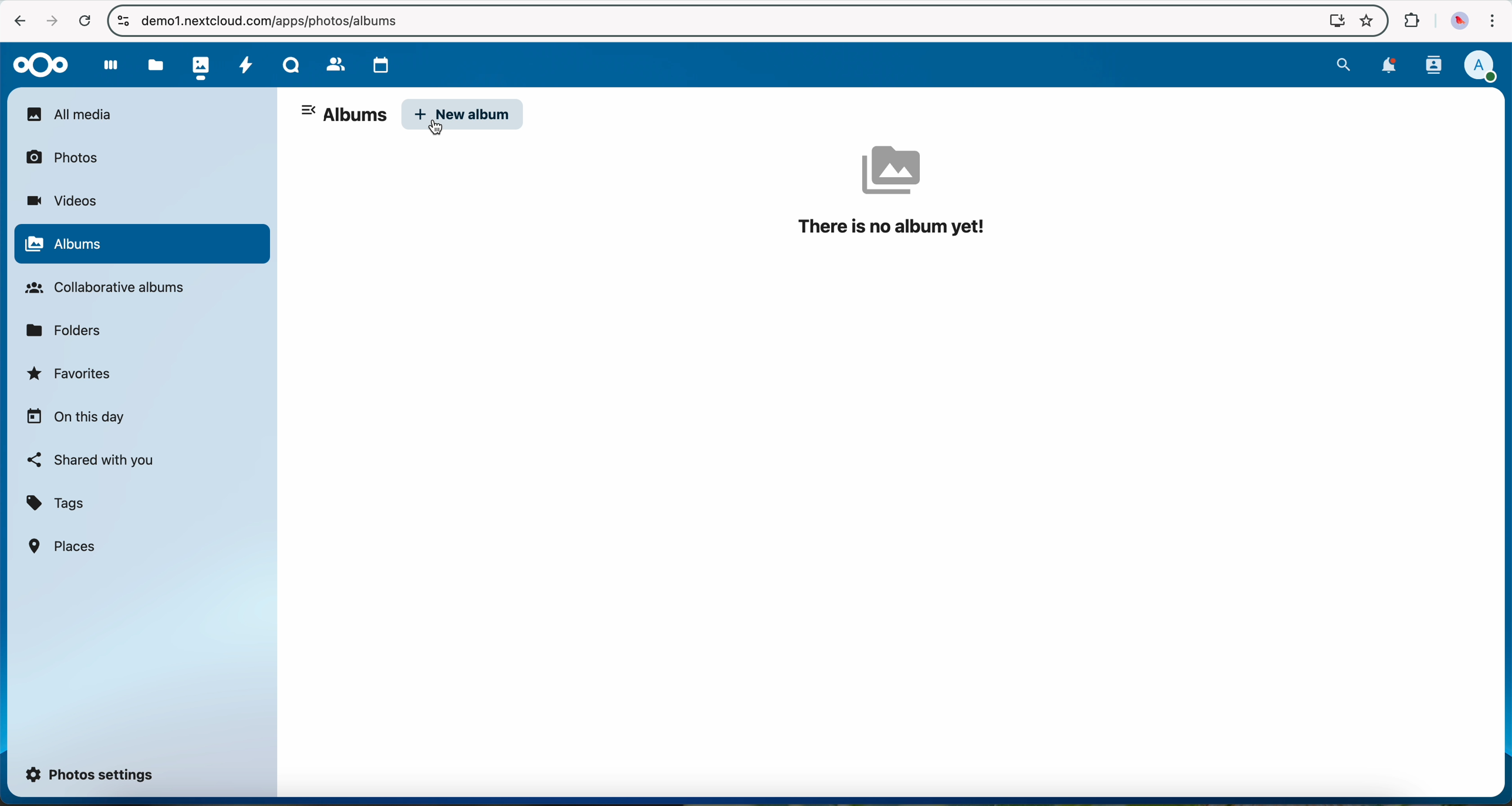  I want to click on controls, so click(123, 20).